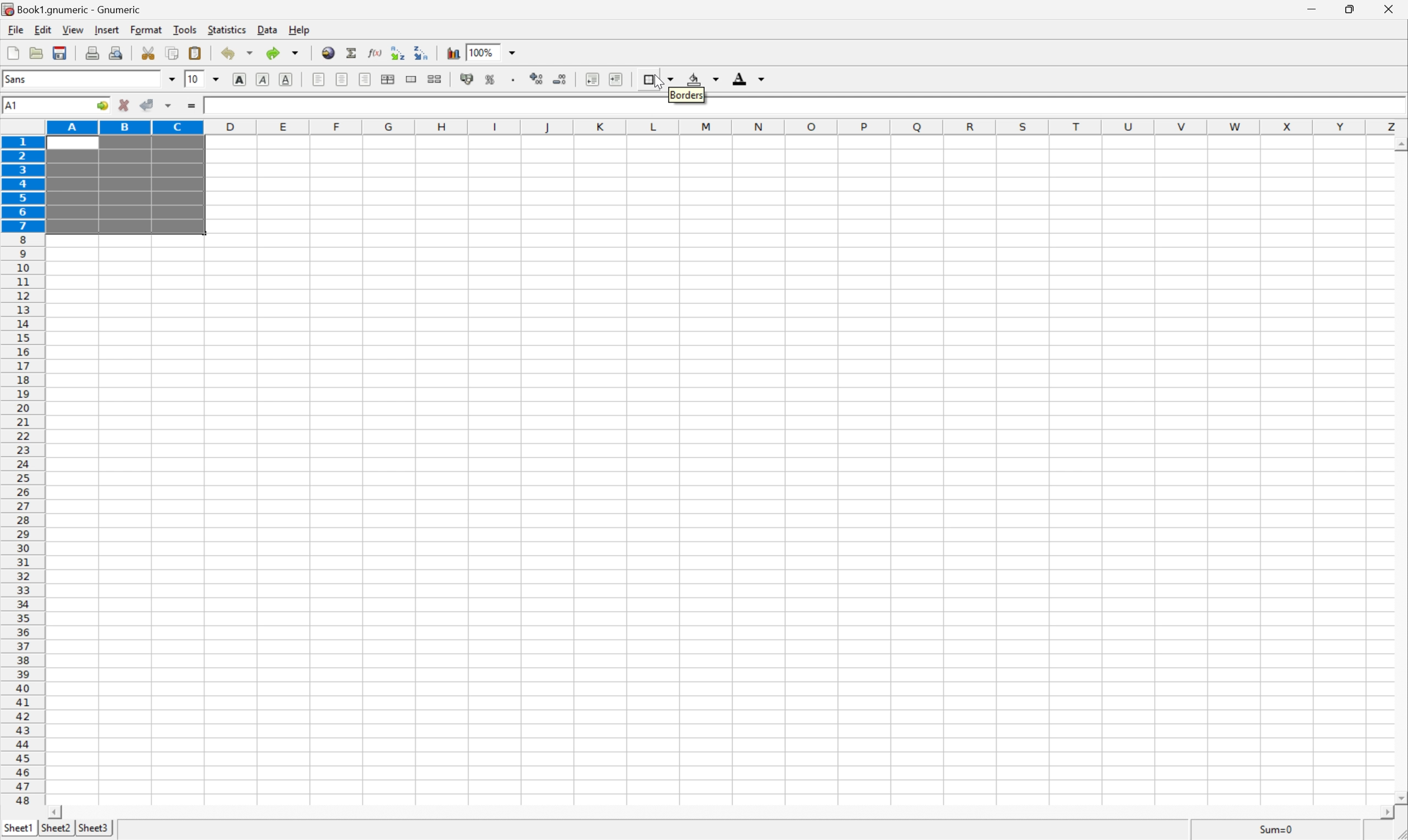  I want to click on borders, so click(687, 93).